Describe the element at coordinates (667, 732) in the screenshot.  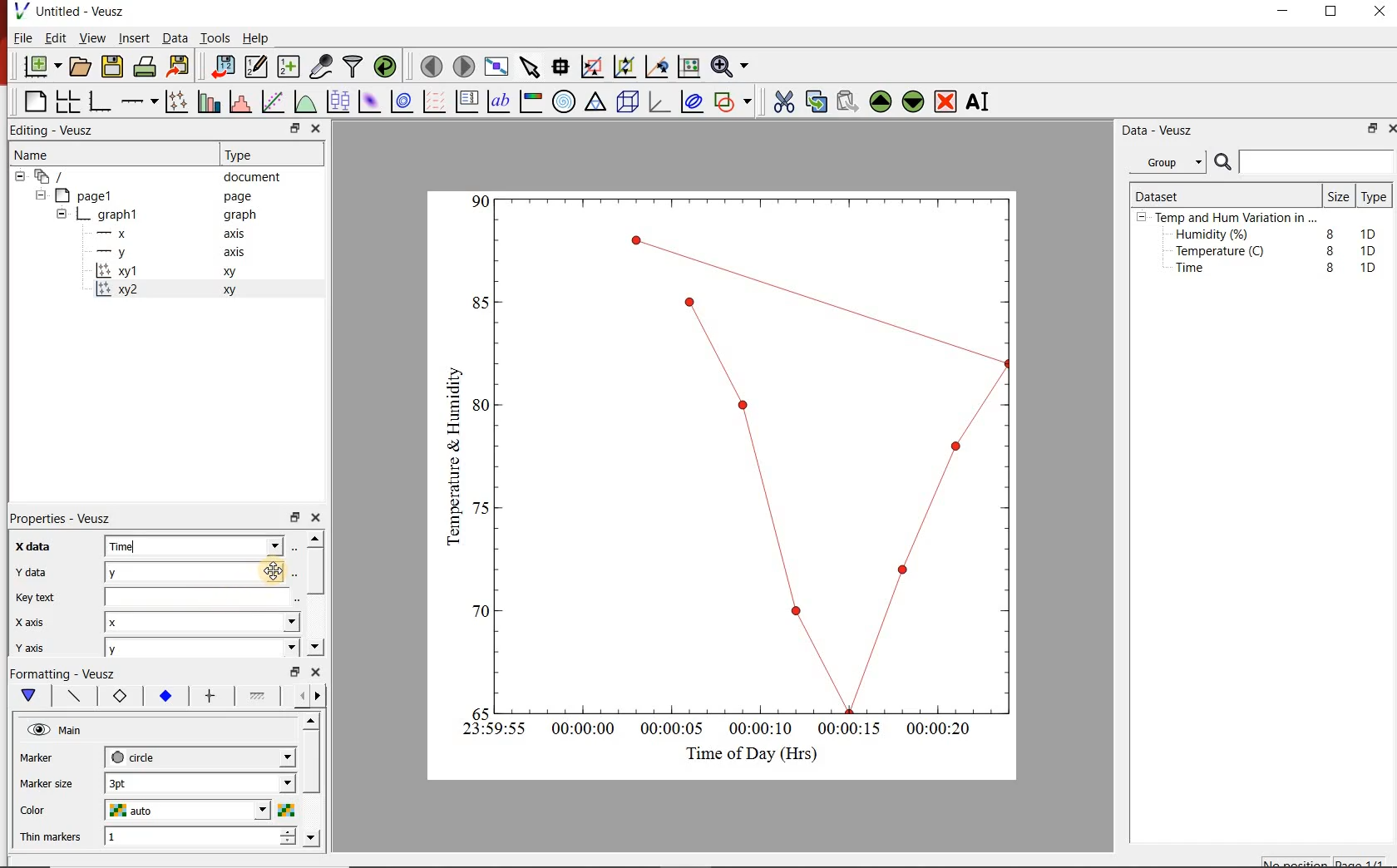
I see `00:00:05` at that location.